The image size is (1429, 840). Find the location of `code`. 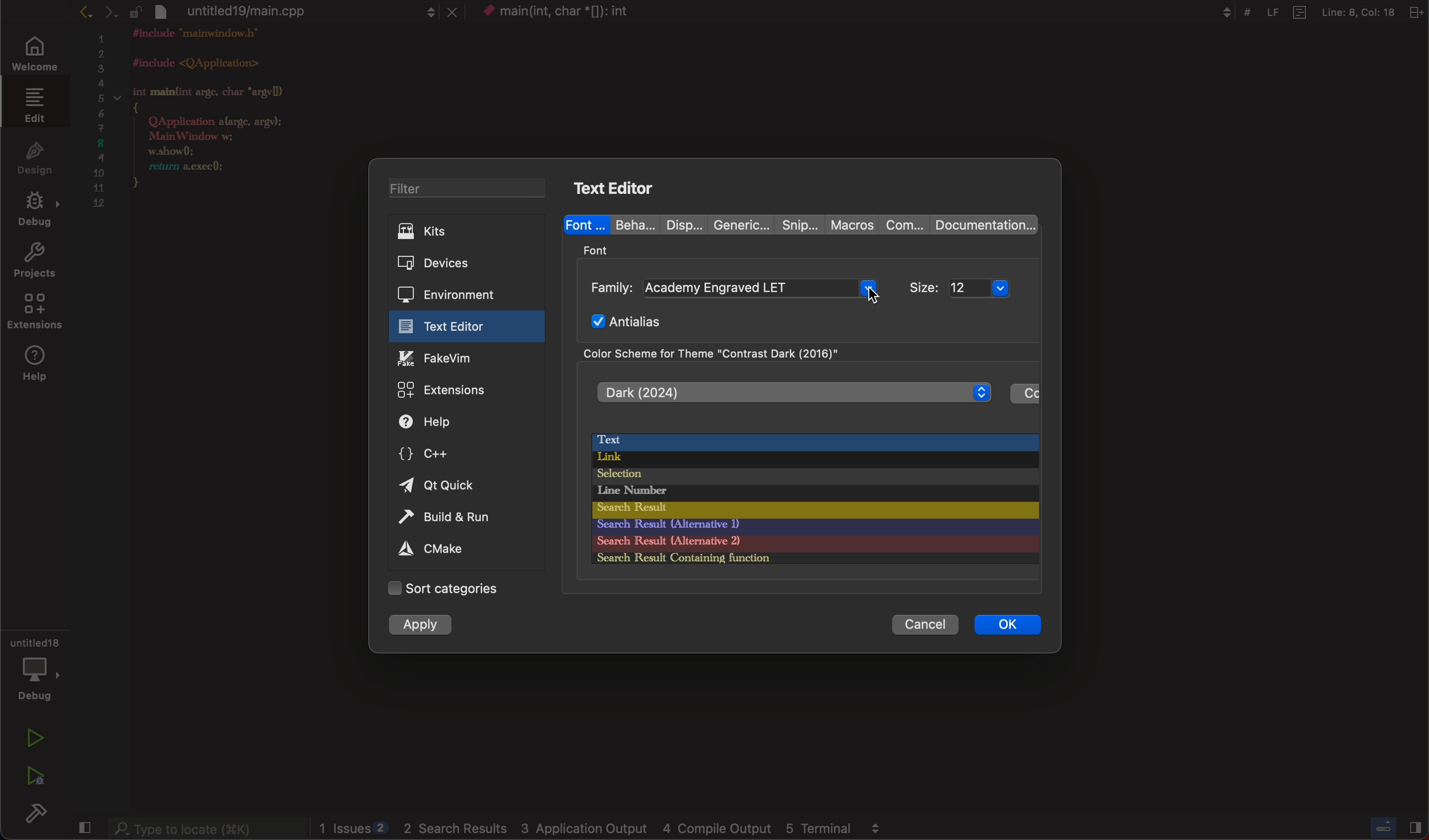

code is located at coordinates (226, 122).